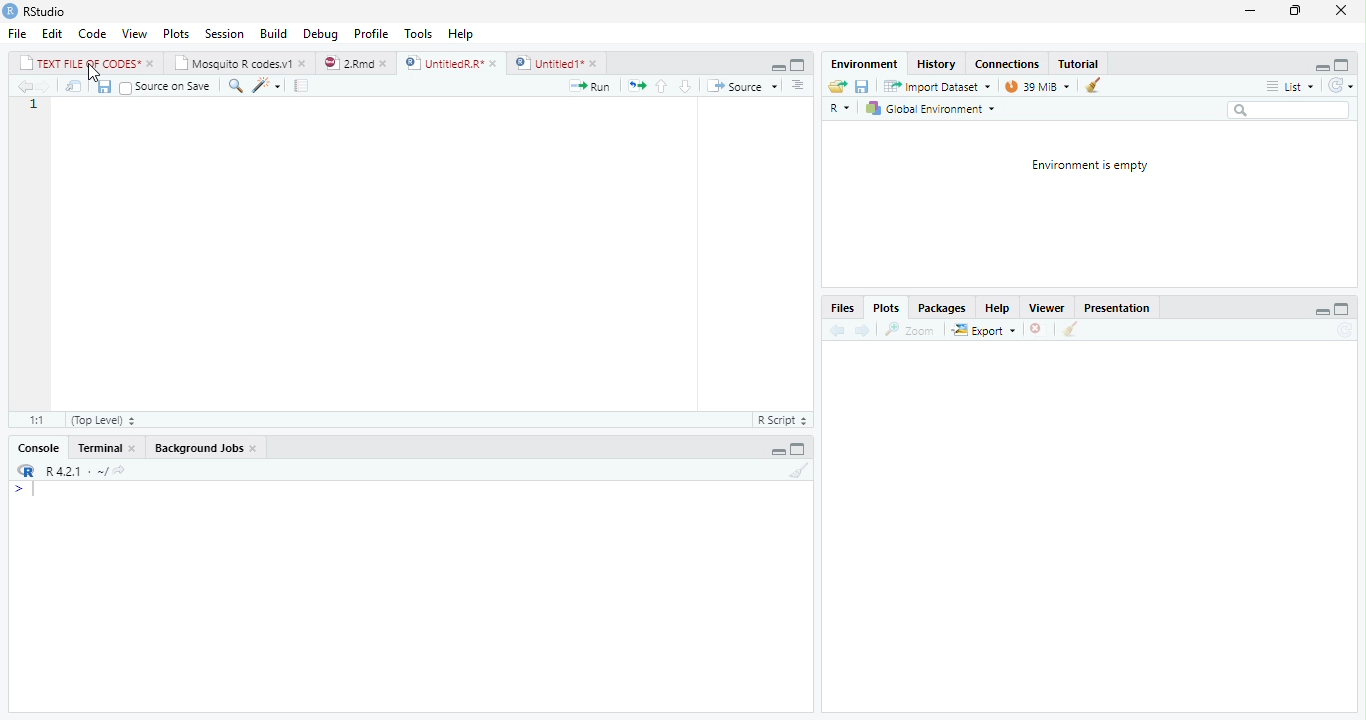  I want to click on Search, so click(1288, 110).